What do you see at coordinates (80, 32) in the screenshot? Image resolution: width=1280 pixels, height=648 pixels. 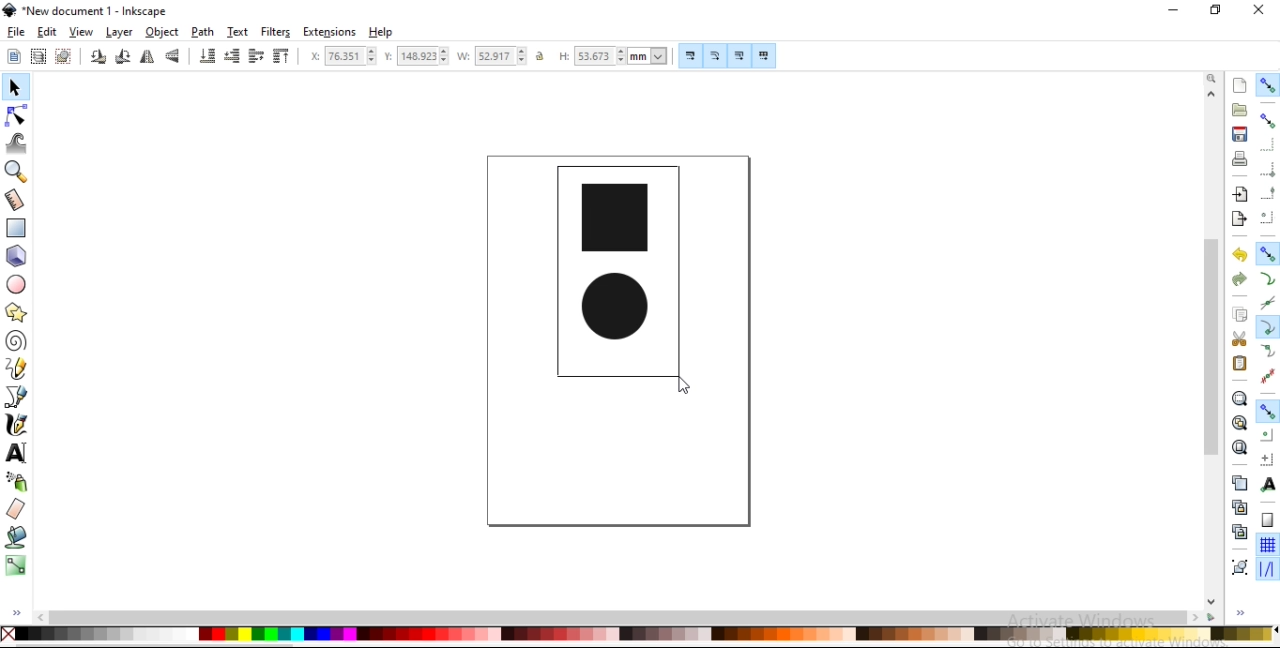 I see `view` at bounding box center [80, 32].